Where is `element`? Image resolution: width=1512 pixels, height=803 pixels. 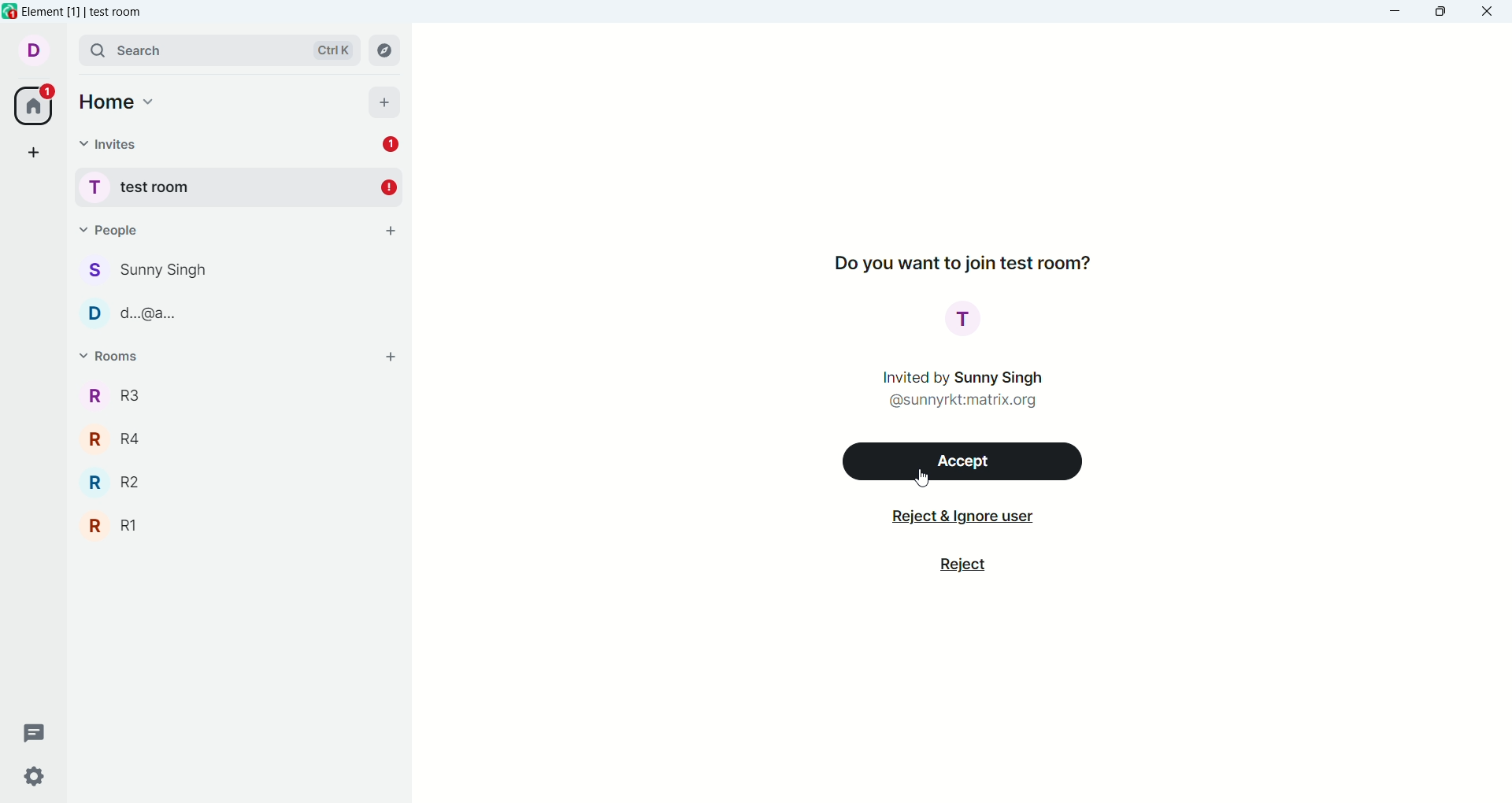 element is located at coordinates (92, 12).